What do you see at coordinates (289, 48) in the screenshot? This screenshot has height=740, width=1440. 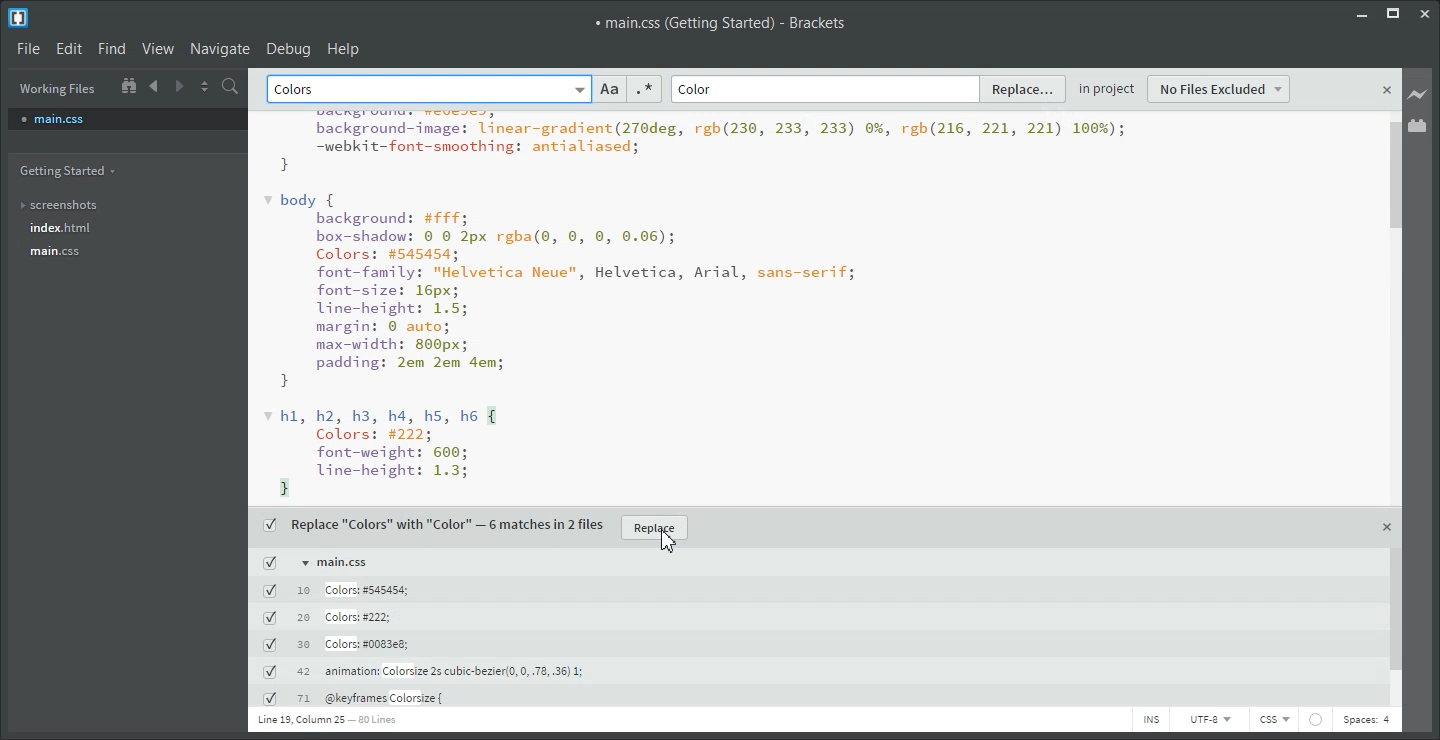 I see `Debug` at bounding box center [289, 48].